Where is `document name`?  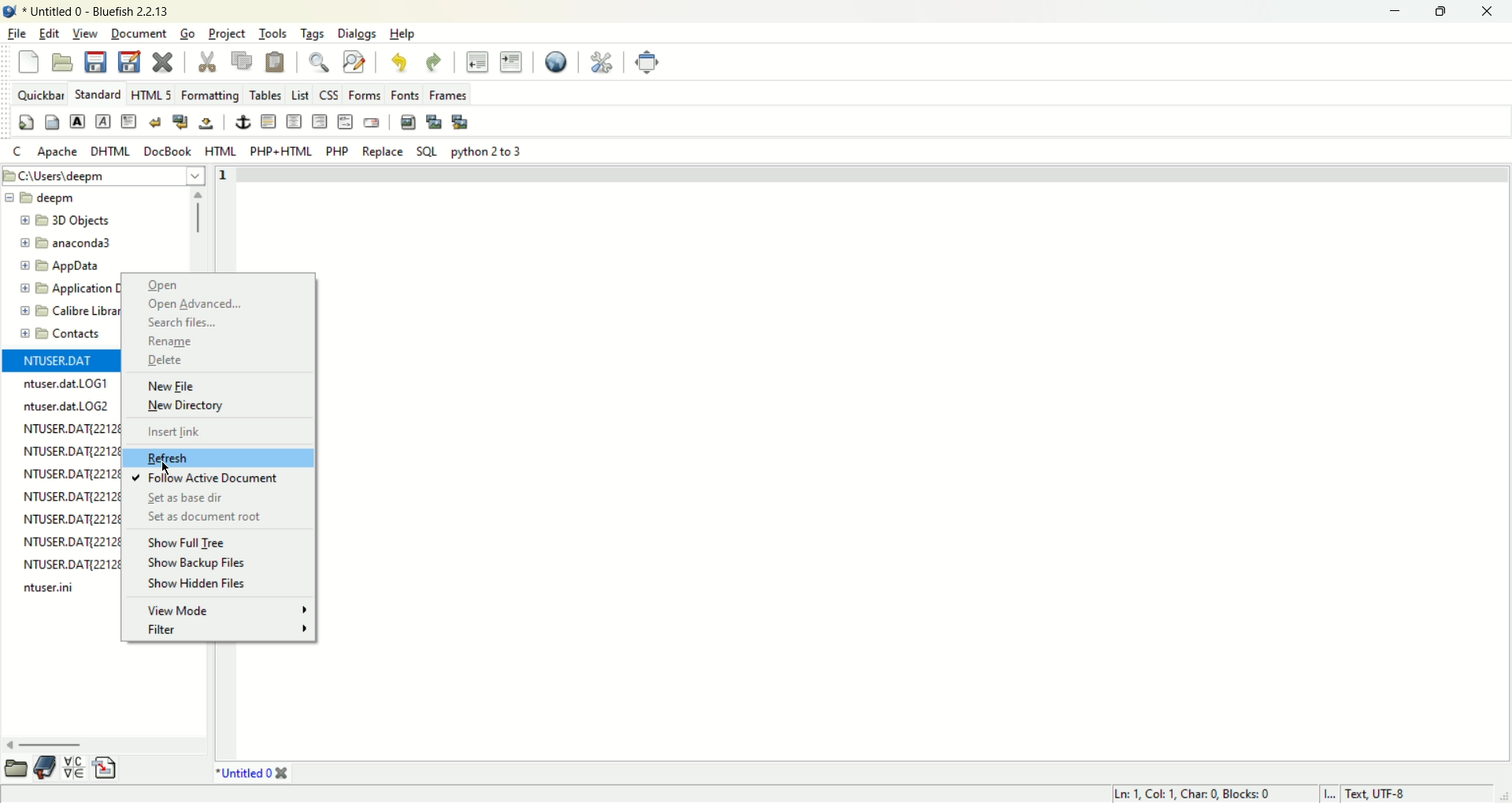
document name is located at coordinates (94, 10).